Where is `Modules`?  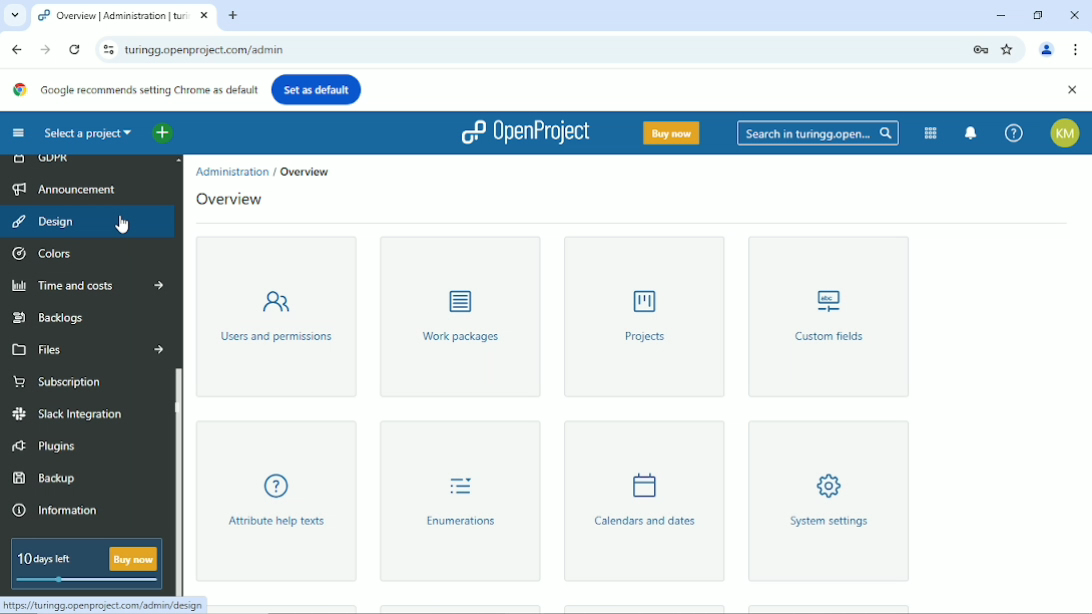 Modules is located at coordinates (929, 132).